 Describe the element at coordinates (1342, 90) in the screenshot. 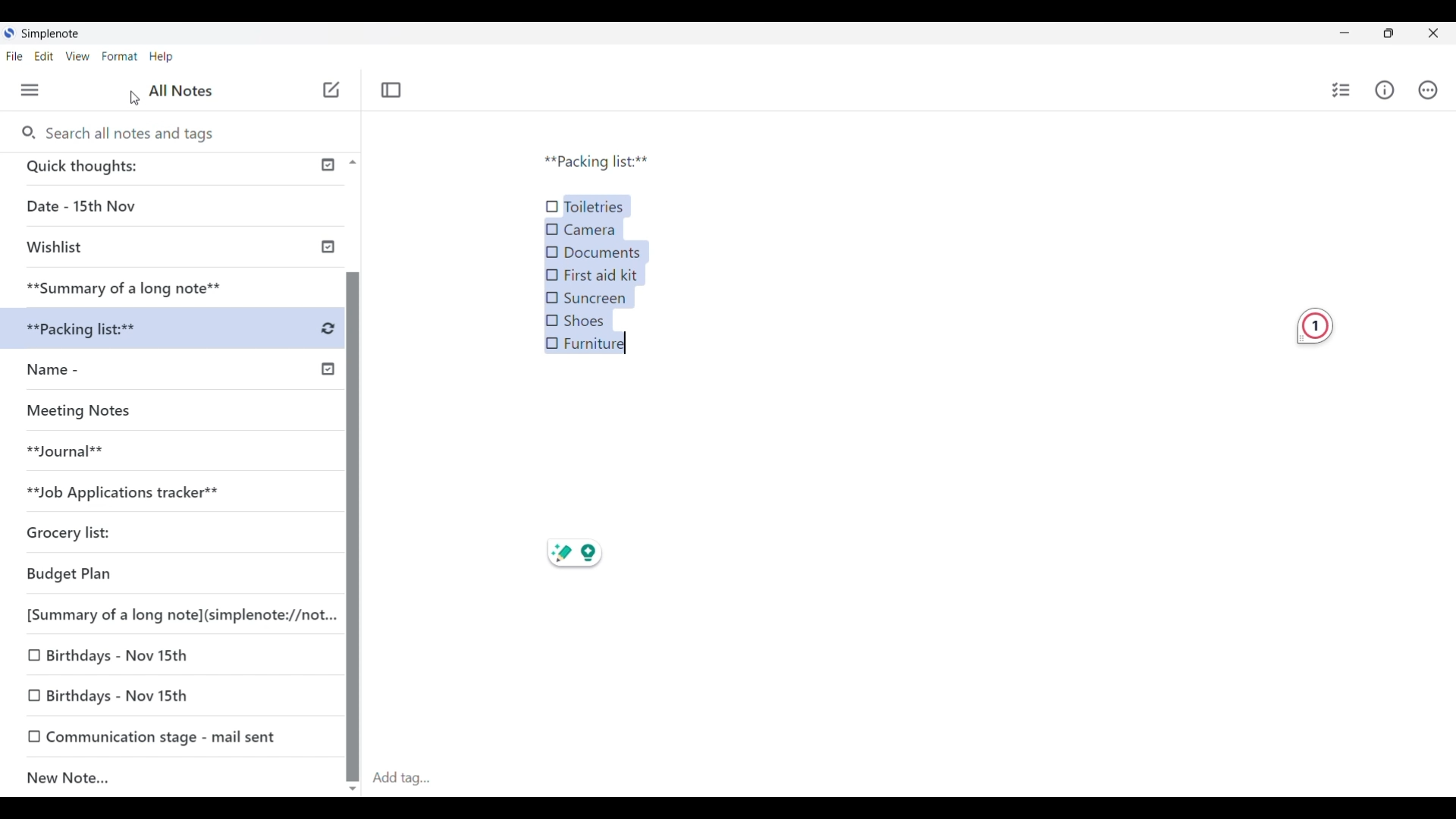

I see `Insert checklist` at that location.